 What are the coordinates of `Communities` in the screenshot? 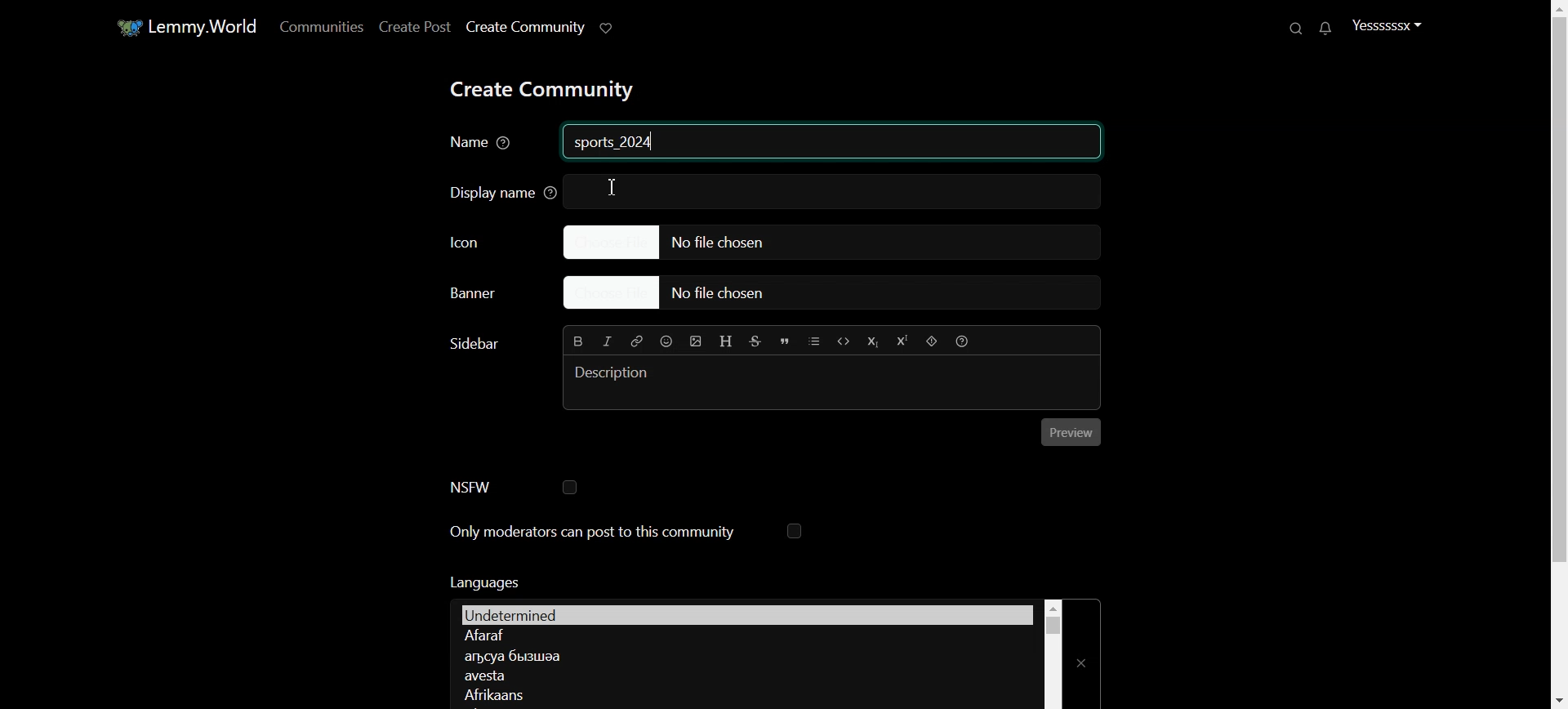 It's located at (318, 26).